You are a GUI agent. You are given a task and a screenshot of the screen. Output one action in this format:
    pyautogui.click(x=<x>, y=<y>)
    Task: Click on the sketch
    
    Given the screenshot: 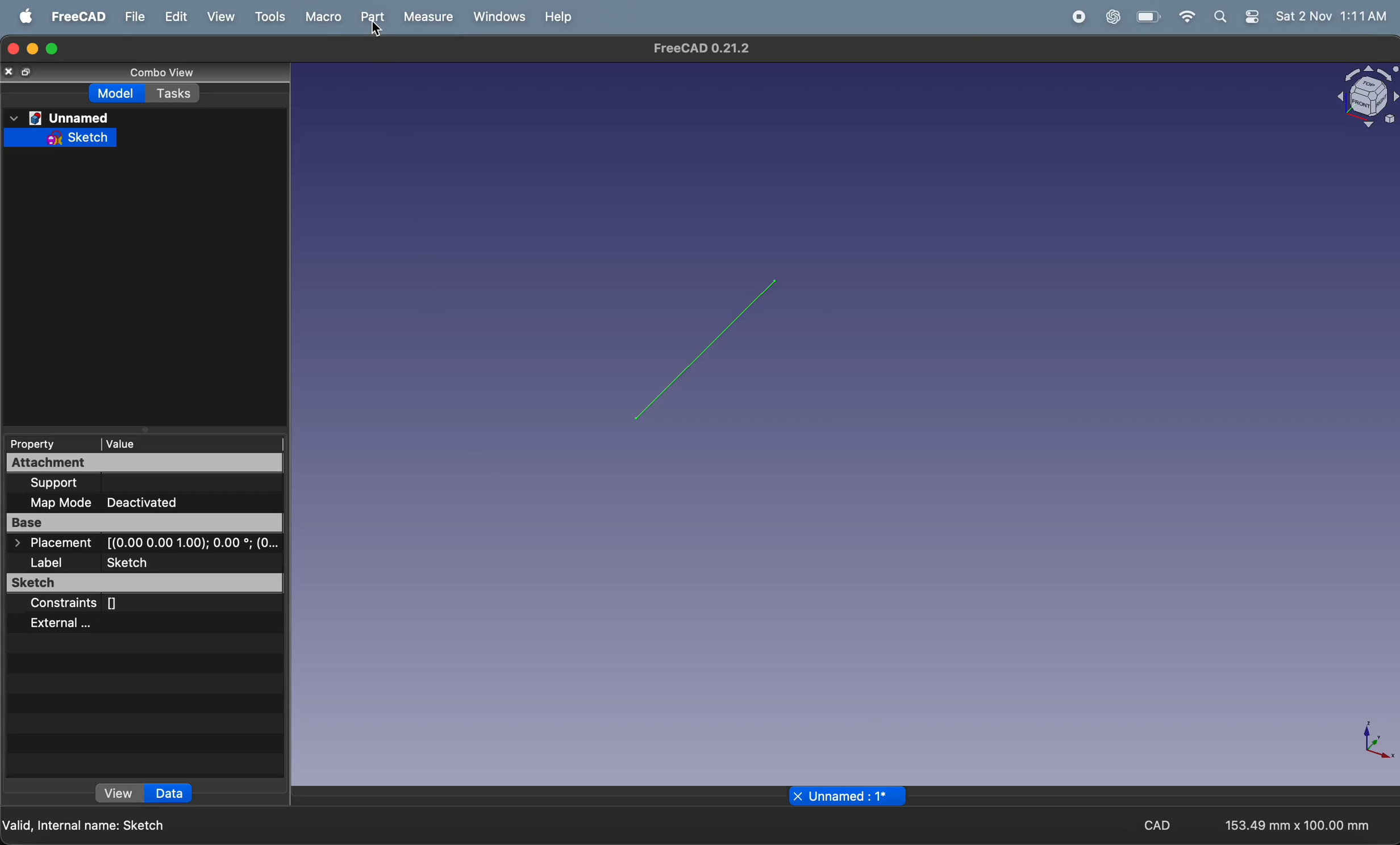 What is the action you would take?
    pyautogui.click(x=63, y=137)
    